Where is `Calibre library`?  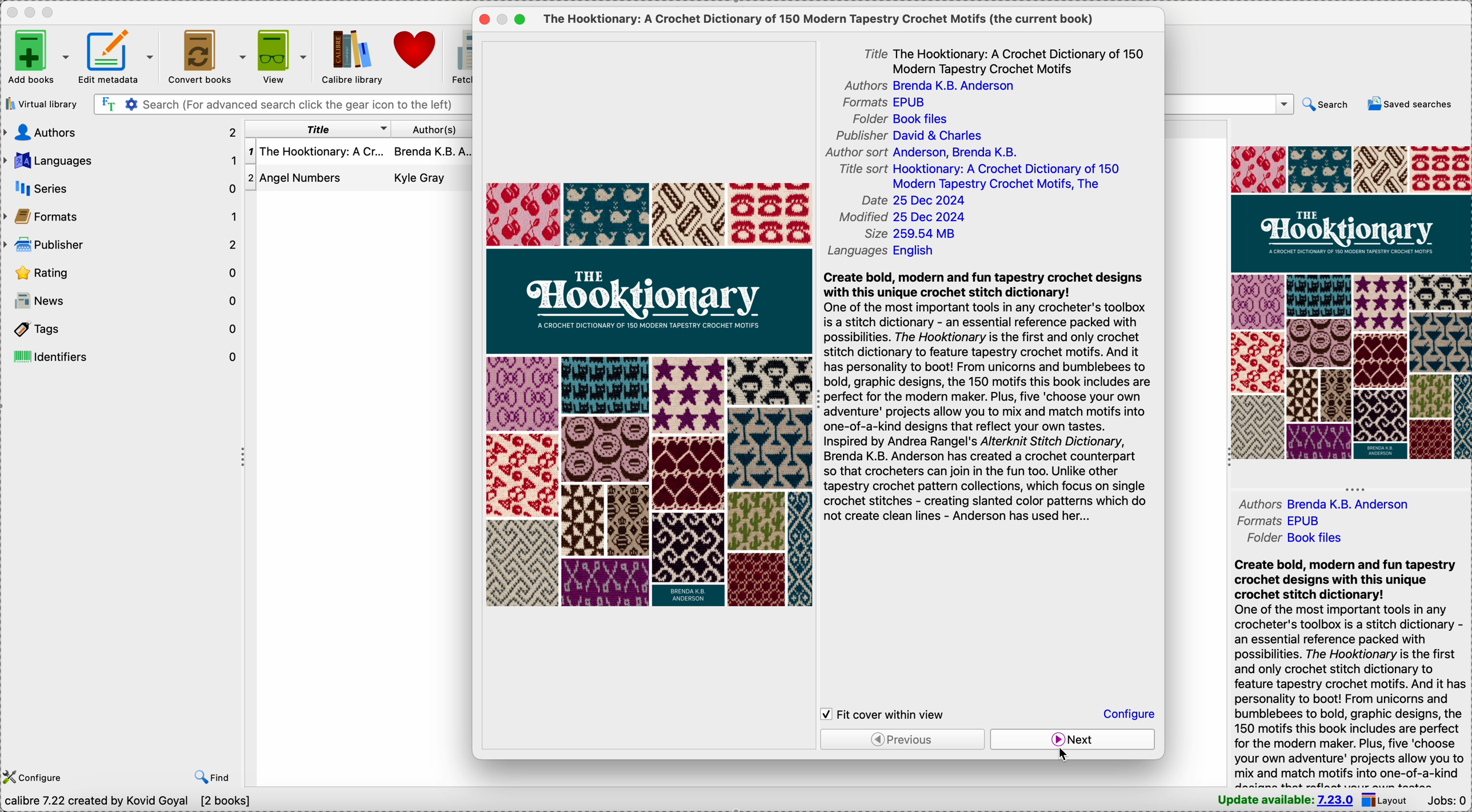
Calibre library is located at coordinates (351, 56).